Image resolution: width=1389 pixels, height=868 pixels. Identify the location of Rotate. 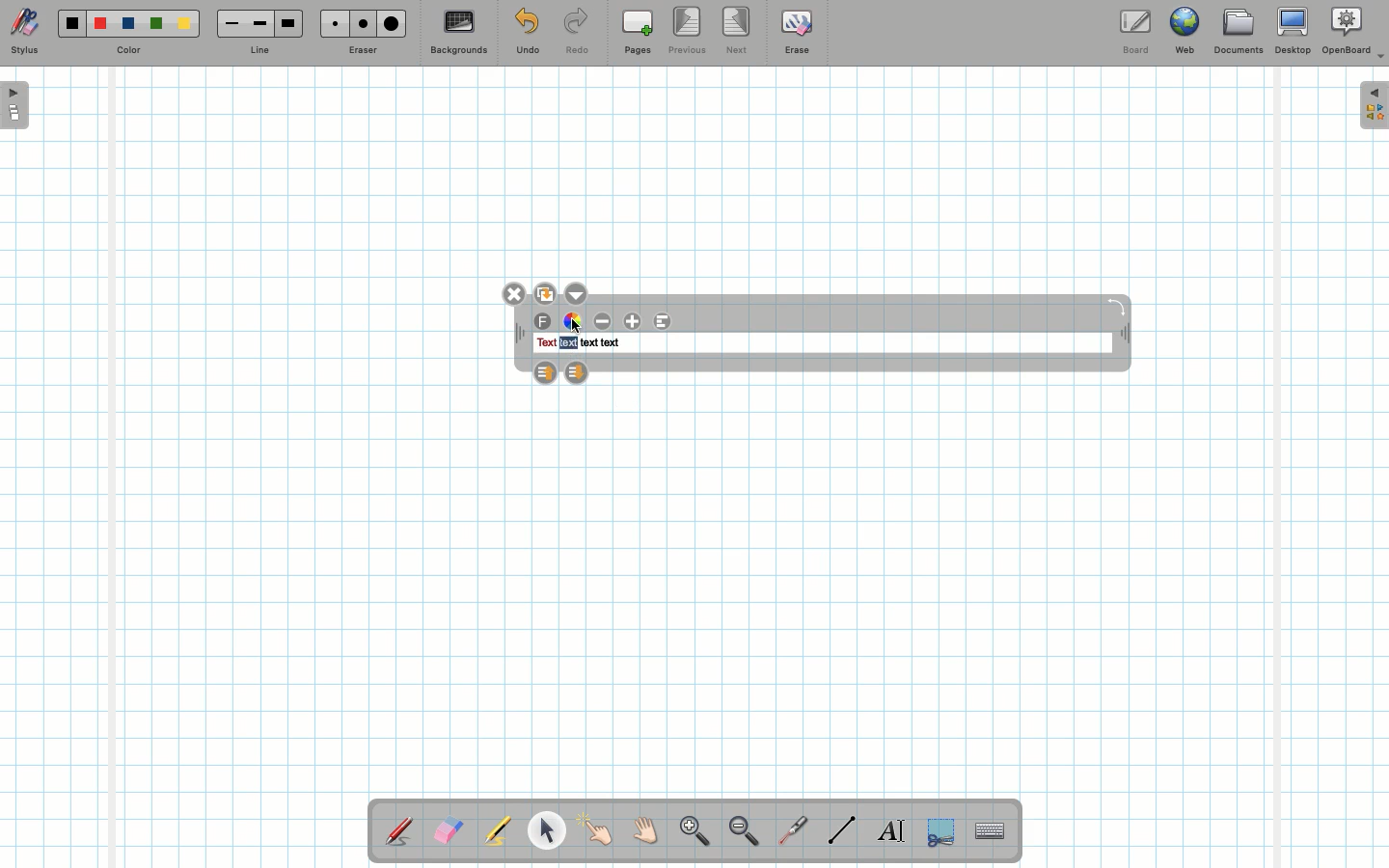
(1116, 306).